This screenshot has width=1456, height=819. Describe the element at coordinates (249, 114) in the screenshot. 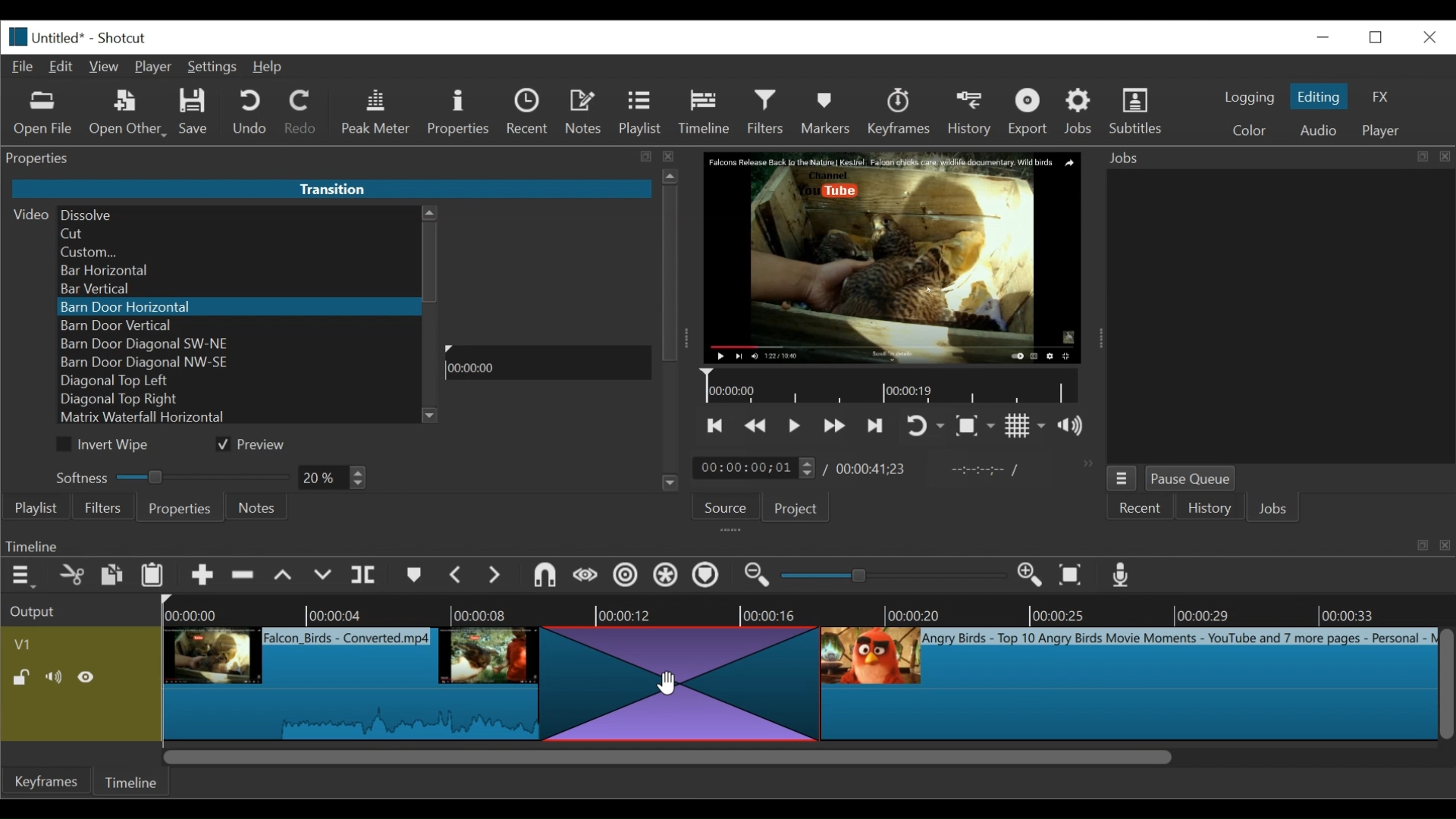

I see `Undo` at that location.